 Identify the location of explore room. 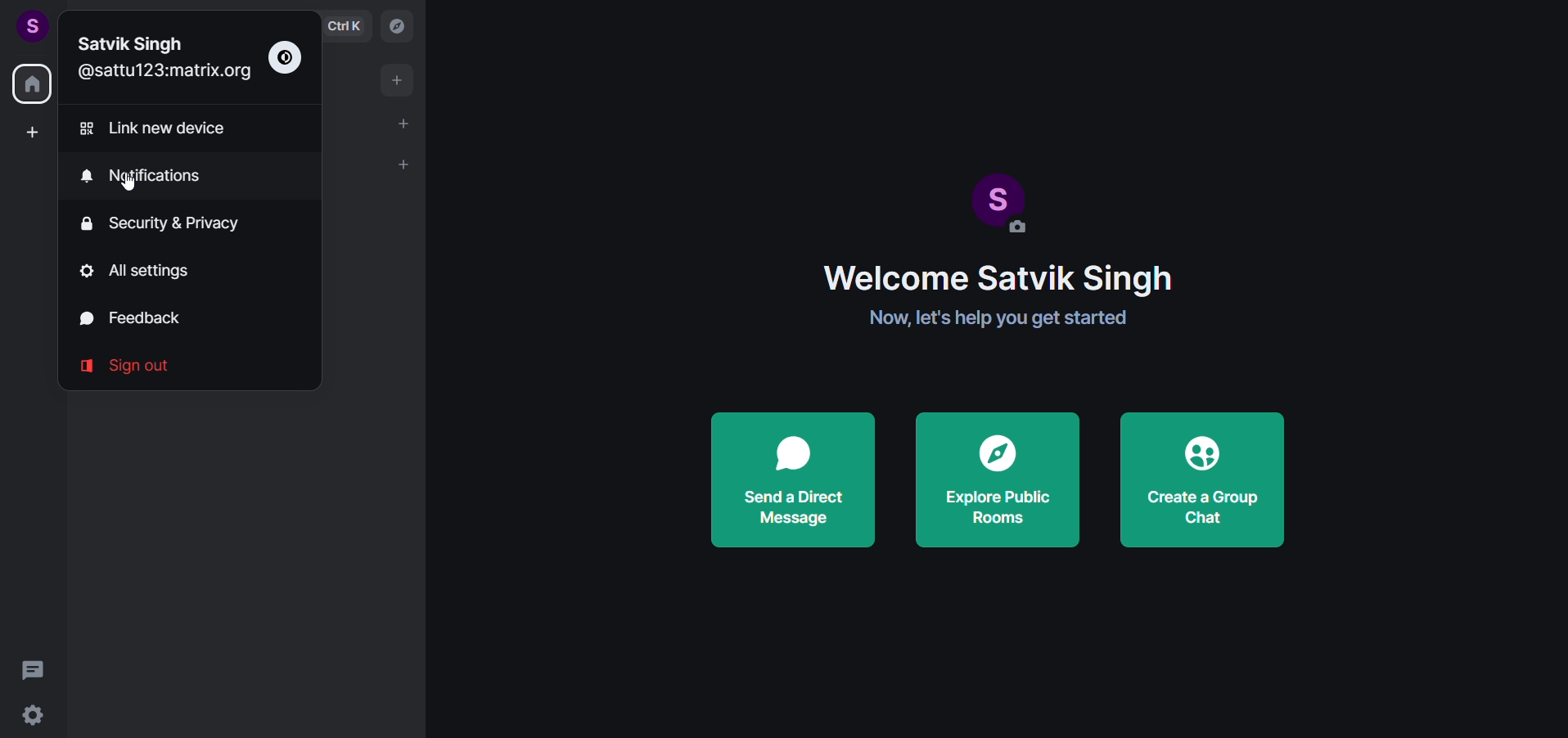
(397, 25).